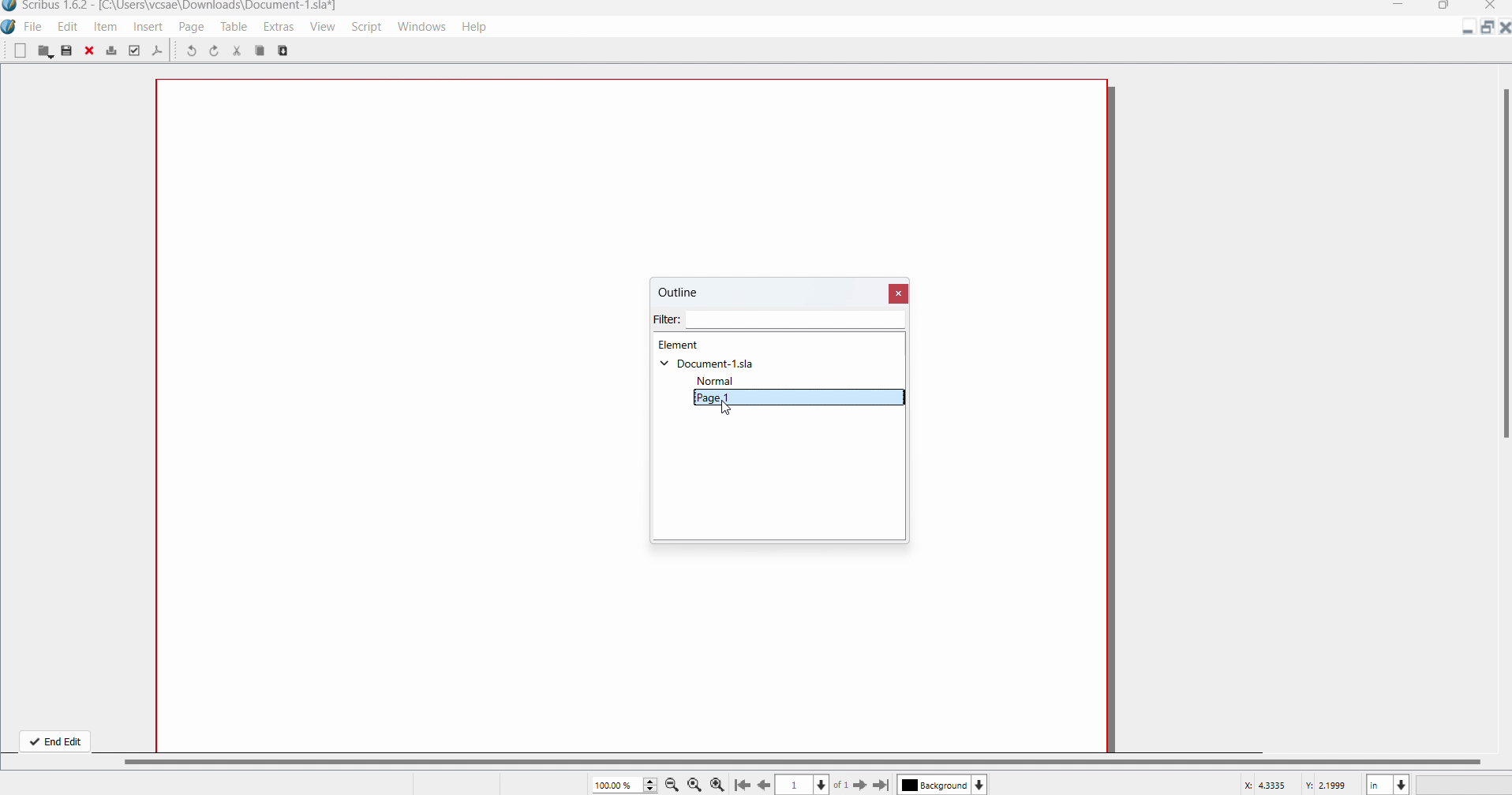 The image size is (1512, 795). I want to click on foward, so click(860, 784).